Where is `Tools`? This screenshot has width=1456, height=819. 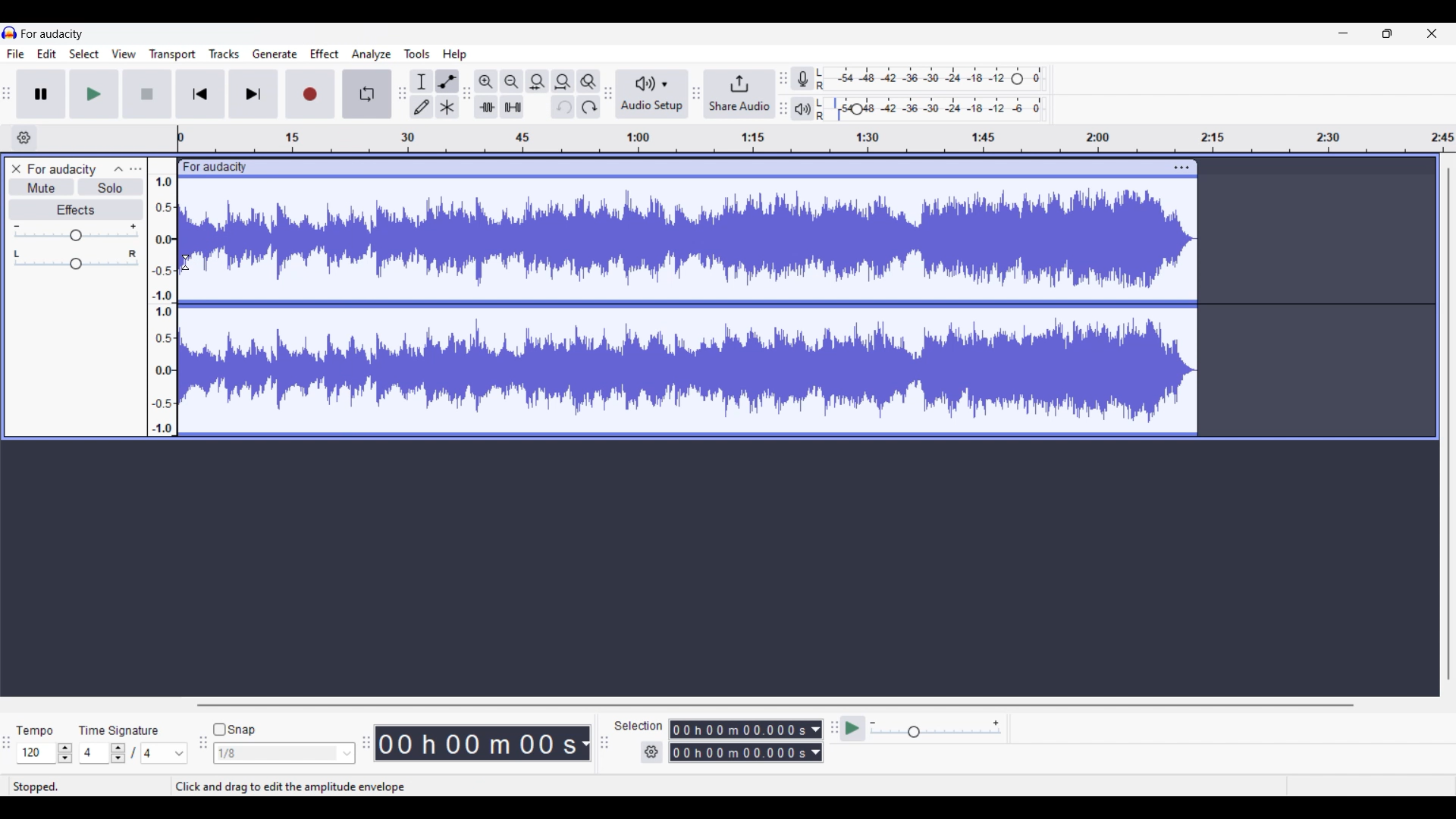
Tools is located at coordinates (416, 54).